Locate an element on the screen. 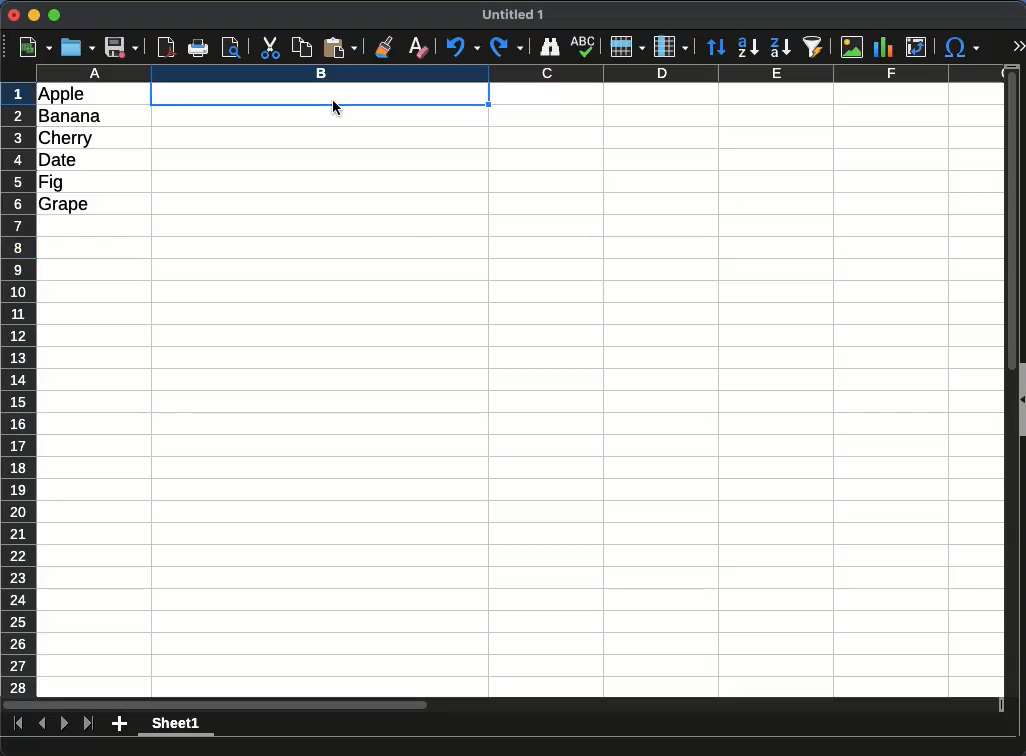  pivot table is located at coordinates (916, 47).